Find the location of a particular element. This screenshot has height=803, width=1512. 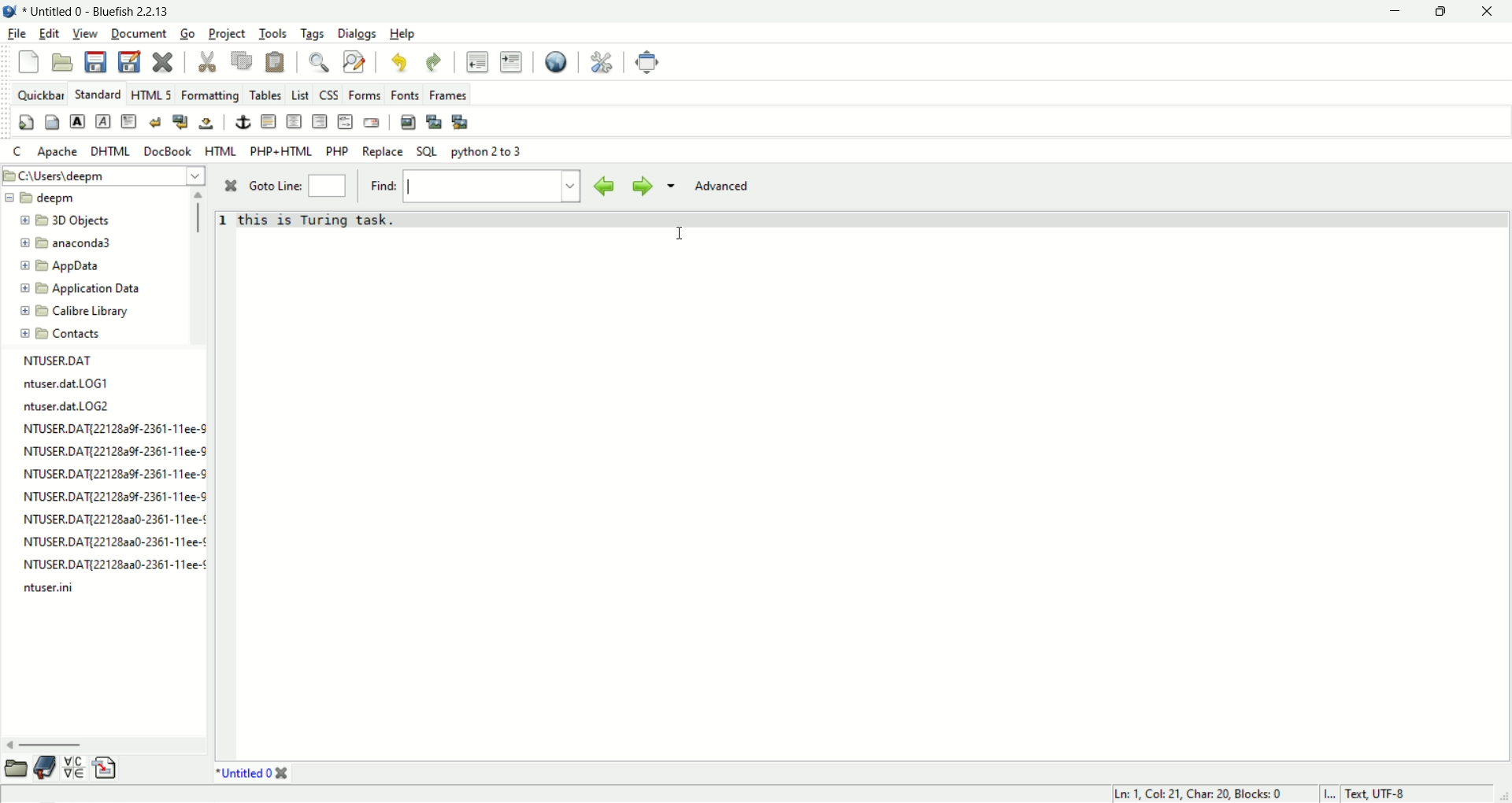

save is located at coordinates (94, 61).